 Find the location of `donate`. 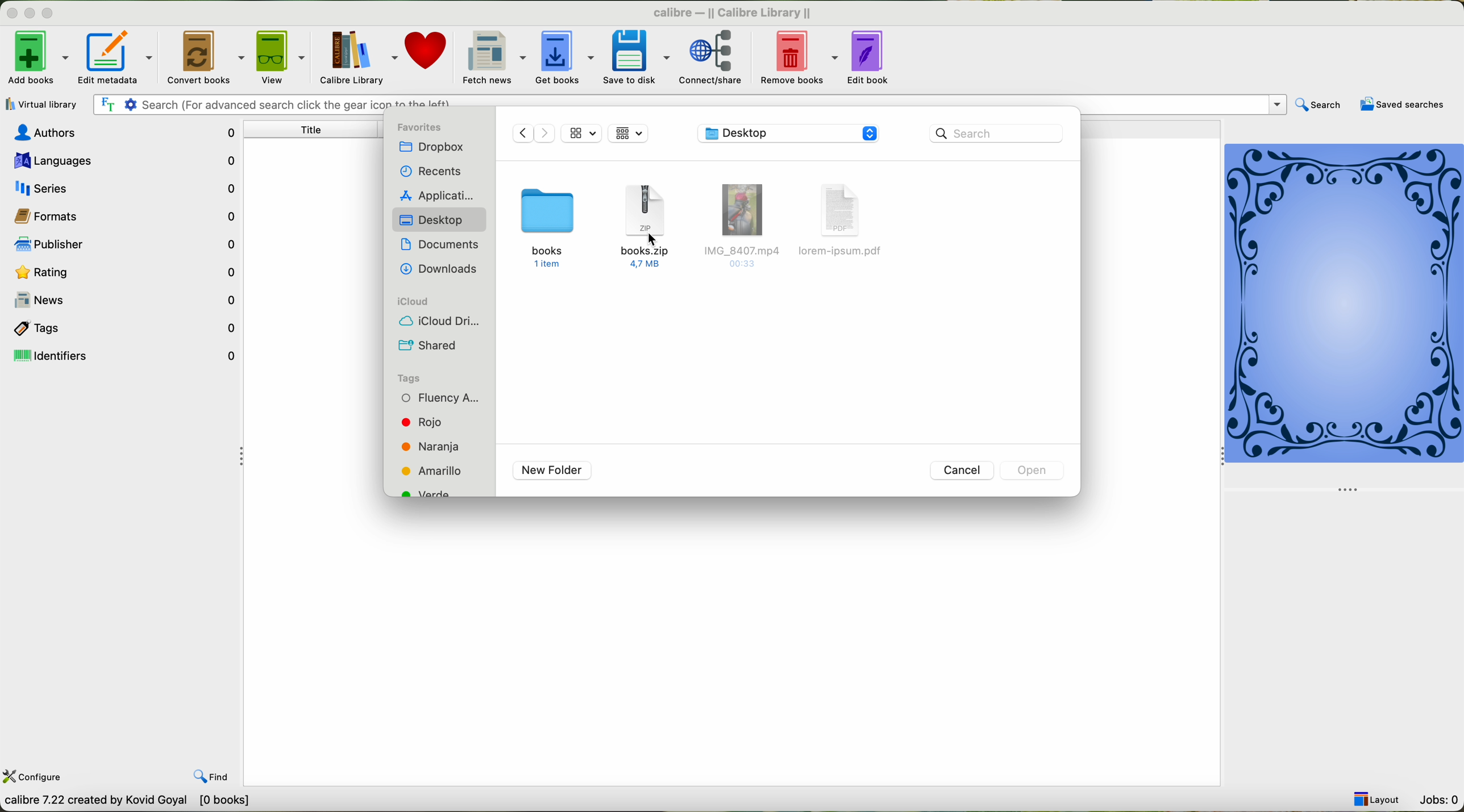

donate is located at coordinates (426, 53).